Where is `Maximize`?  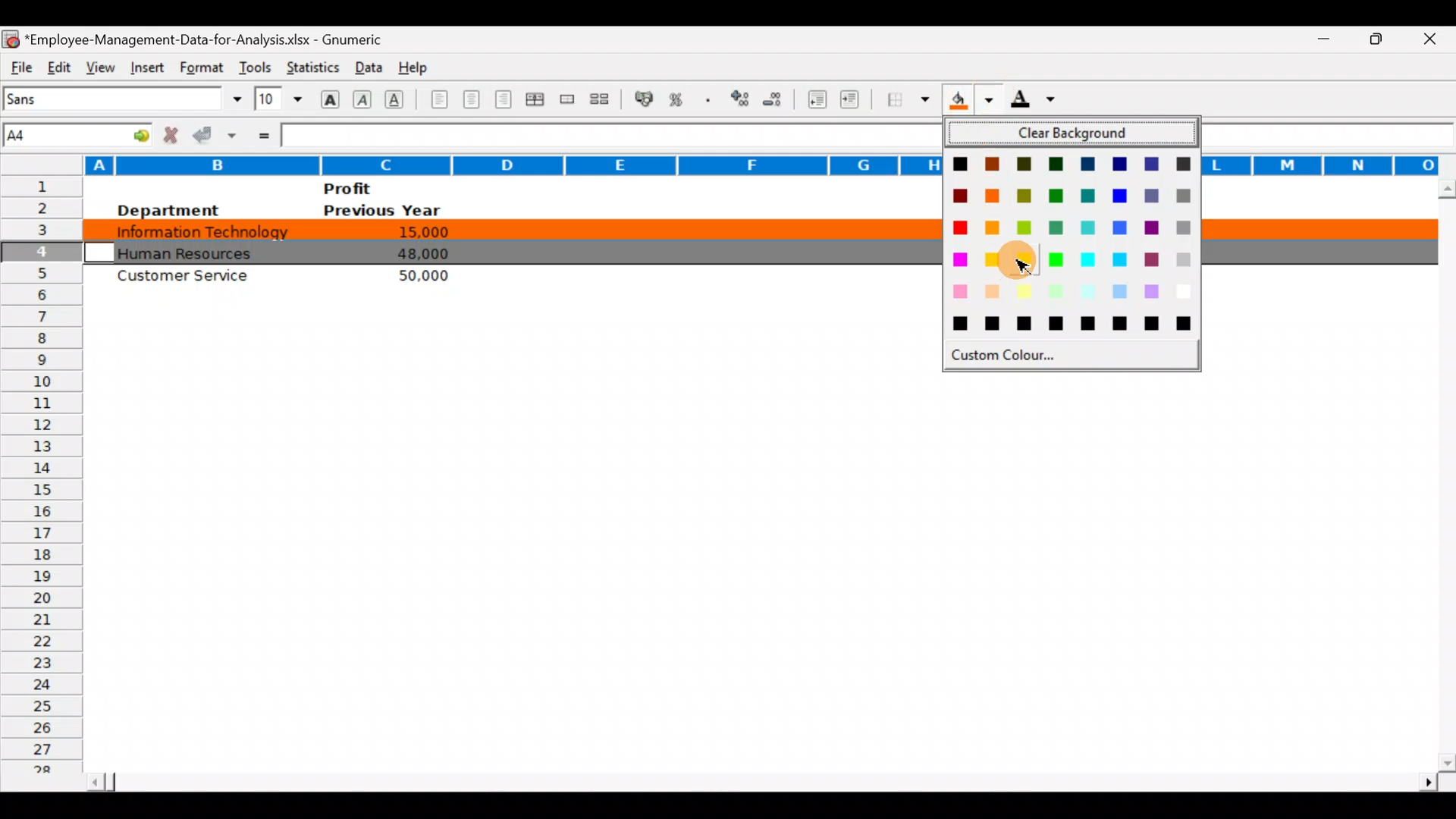 Maximize is located at coordinates (1382, 37).